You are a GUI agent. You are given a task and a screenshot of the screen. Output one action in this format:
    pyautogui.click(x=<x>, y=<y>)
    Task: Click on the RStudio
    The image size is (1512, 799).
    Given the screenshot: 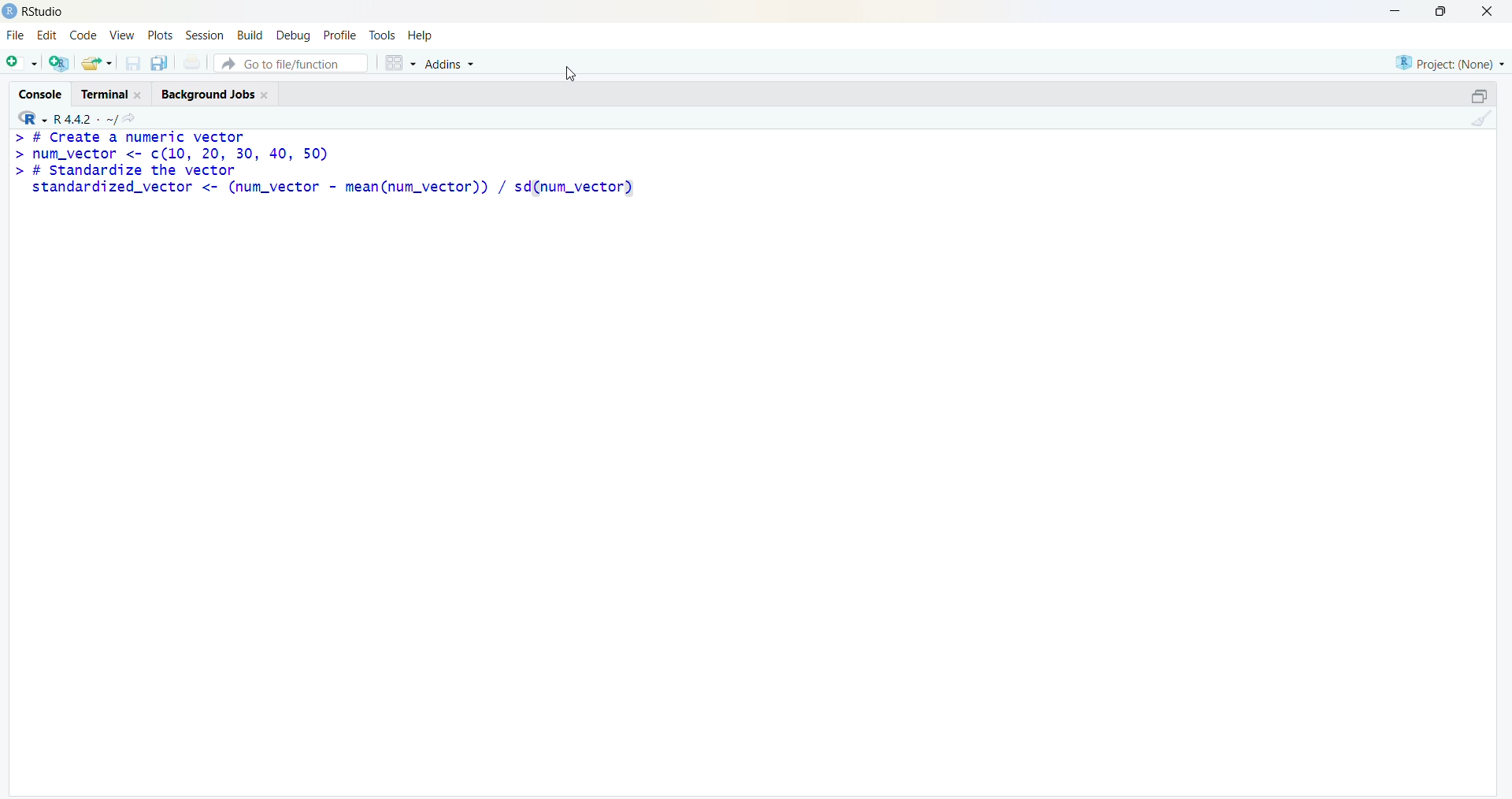 What is the action you would take?
    pyautogui.click(x=45, y=13)
    